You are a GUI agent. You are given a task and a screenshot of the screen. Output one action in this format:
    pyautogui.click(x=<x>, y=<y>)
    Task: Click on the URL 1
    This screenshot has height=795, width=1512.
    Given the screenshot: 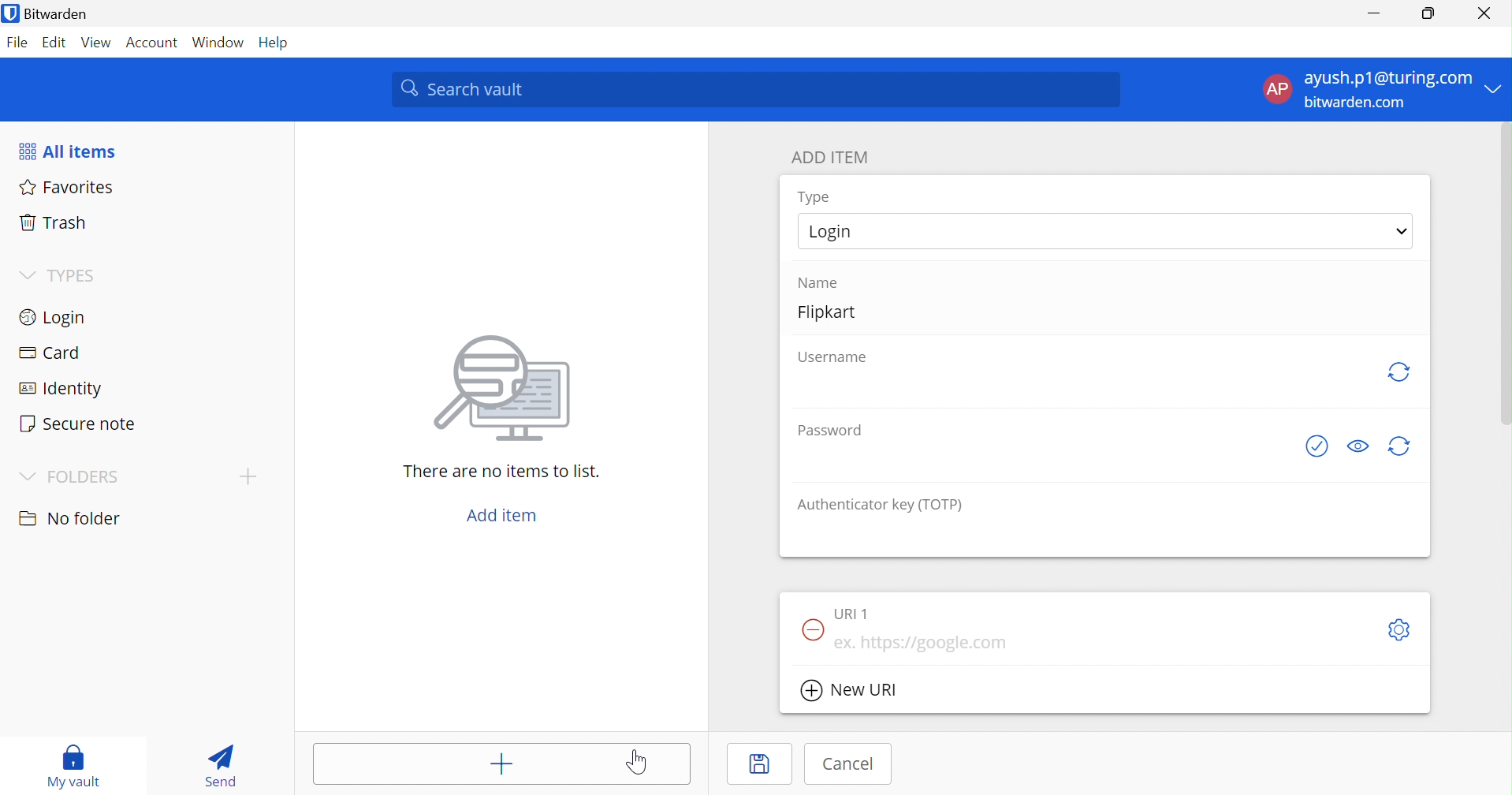 What is the action you would take?
    pyautogui.click(x=851, y=613)
    